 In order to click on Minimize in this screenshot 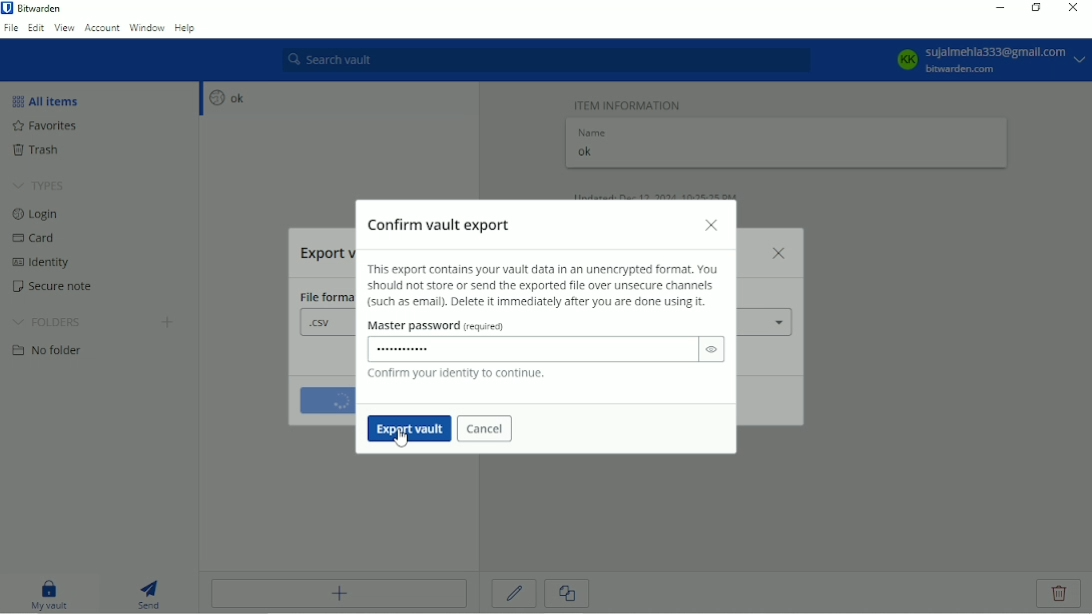, I will do `click(997, 8)`.